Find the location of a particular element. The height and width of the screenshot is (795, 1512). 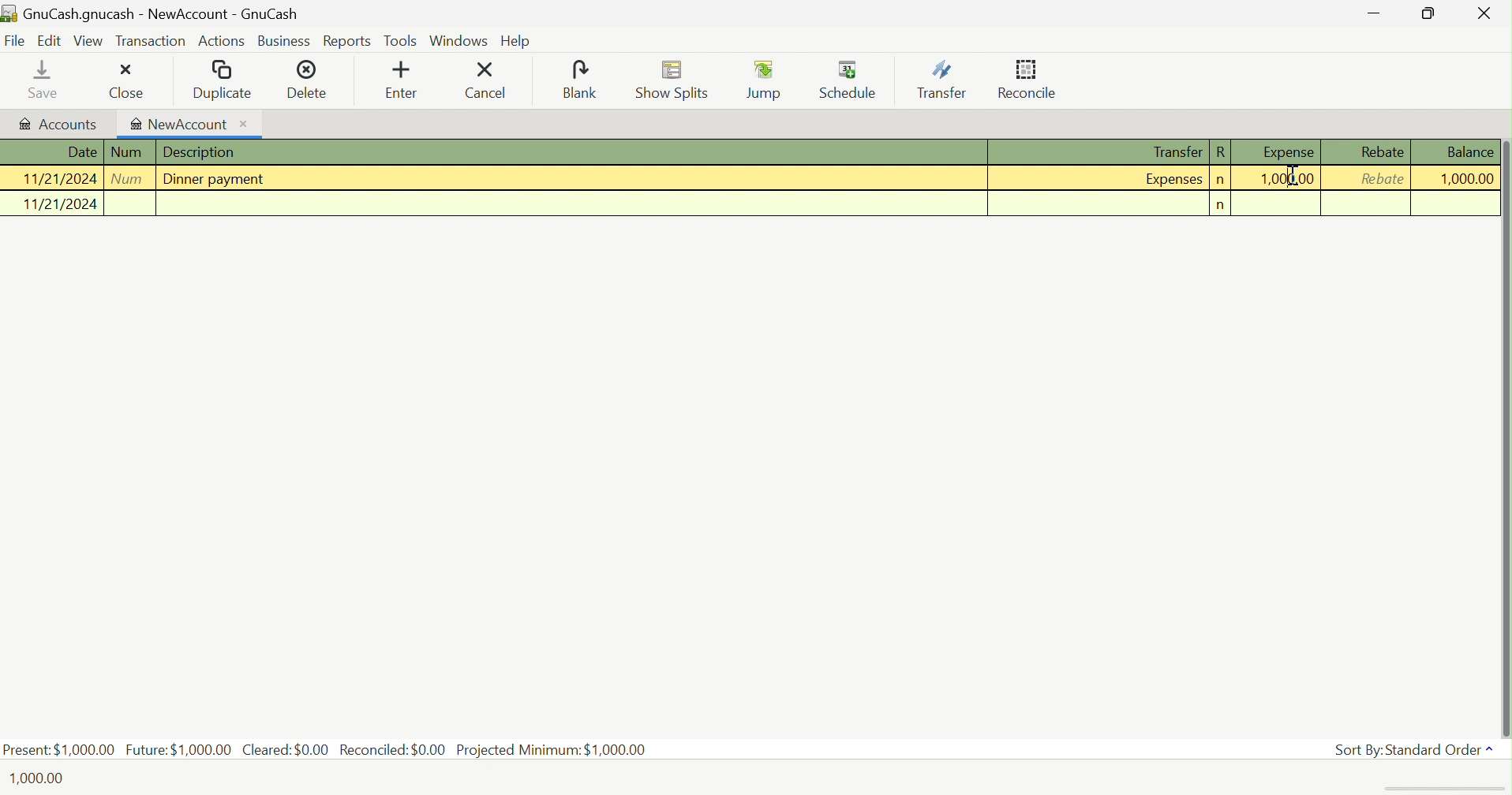

NewAccount is located at coordinates (189, 123).